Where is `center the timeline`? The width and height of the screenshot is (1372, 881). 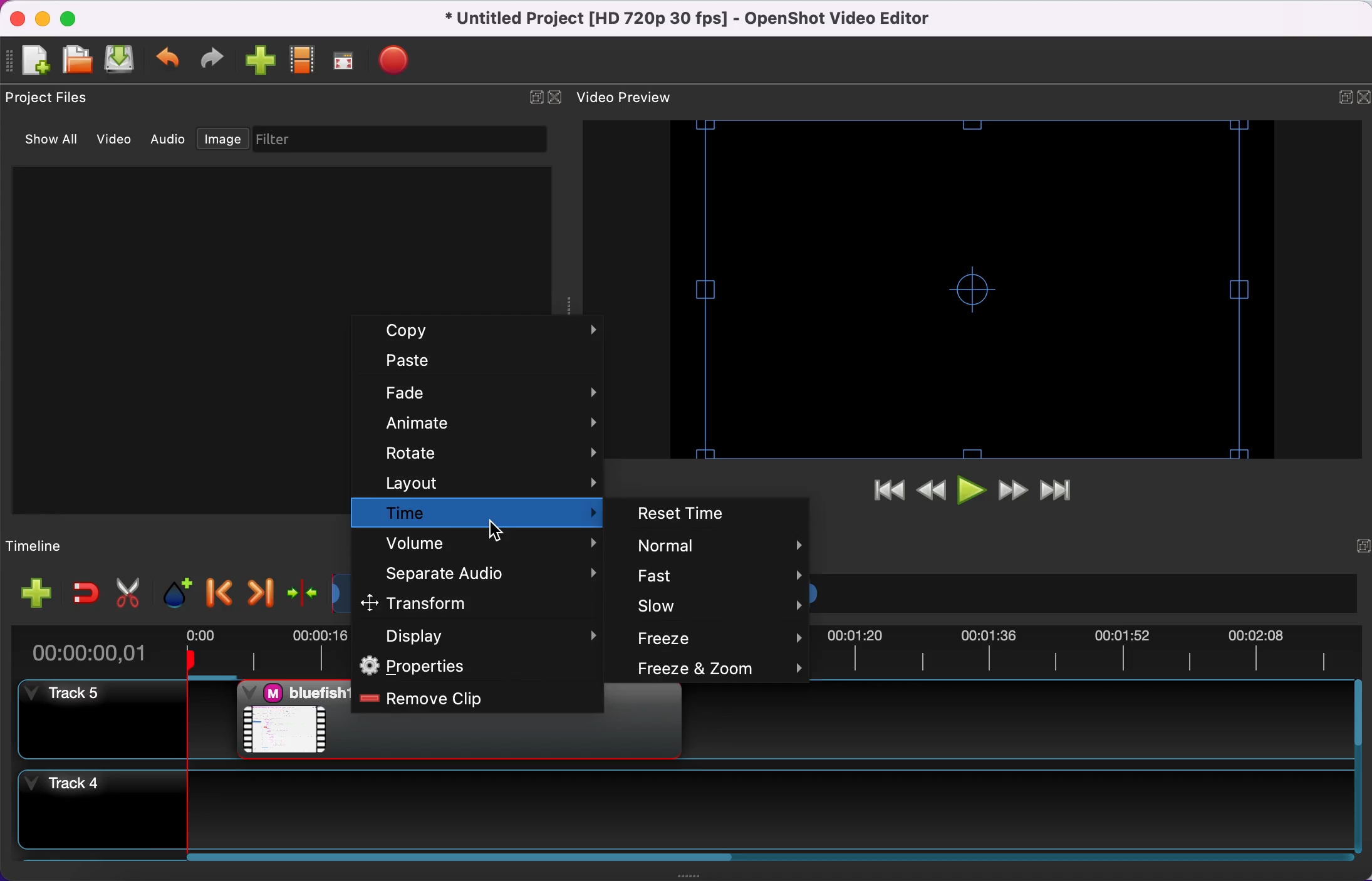 center the timeline is located at coordinates (302, 595).